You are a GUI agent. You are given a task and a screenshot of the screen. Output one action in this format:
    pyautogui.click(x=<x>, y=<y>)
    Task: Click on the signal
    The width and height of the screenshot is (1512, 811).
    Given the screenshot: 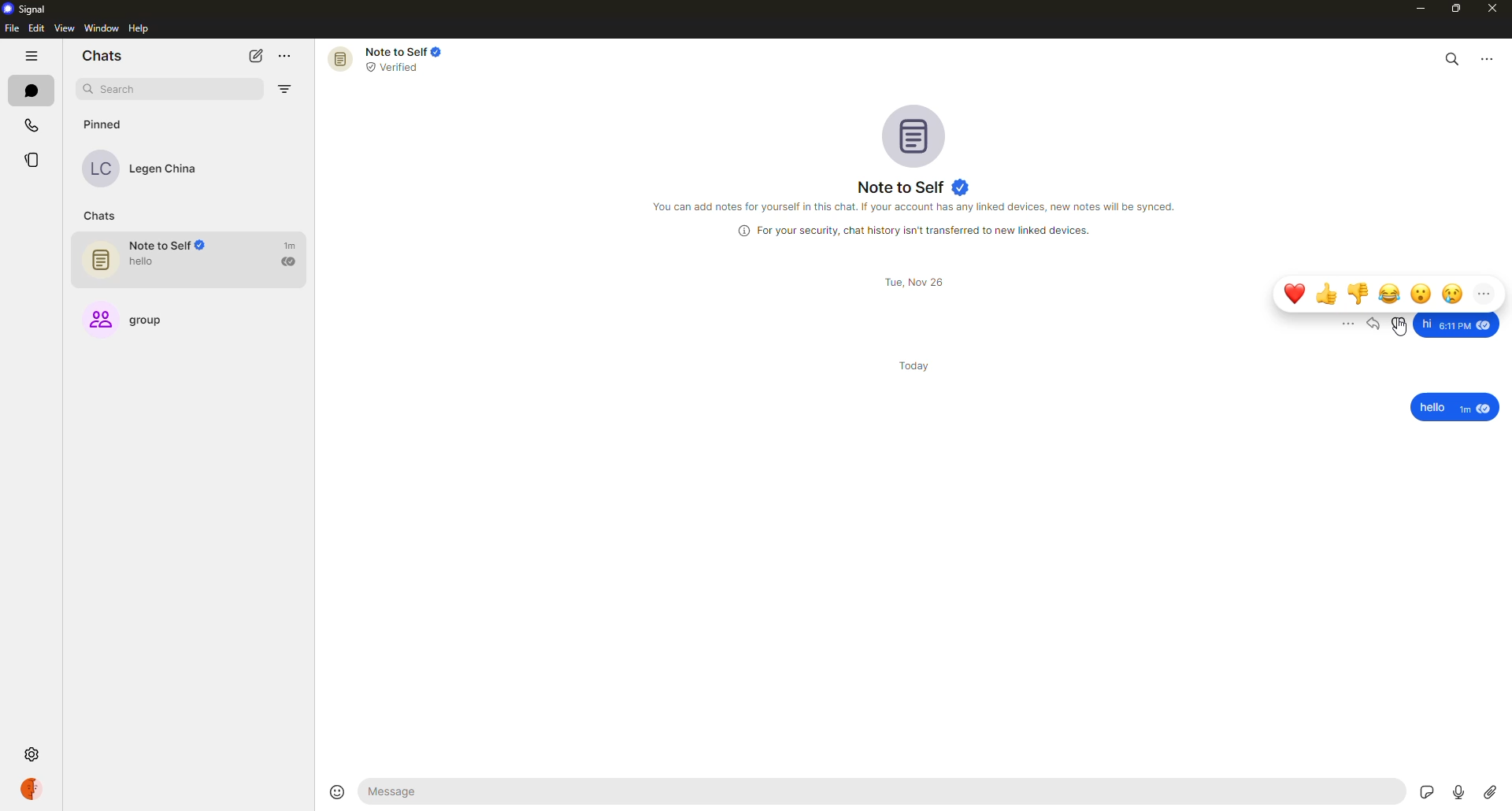 What is the action you would take?
    pyautogui.click(x=28, y=9)
    